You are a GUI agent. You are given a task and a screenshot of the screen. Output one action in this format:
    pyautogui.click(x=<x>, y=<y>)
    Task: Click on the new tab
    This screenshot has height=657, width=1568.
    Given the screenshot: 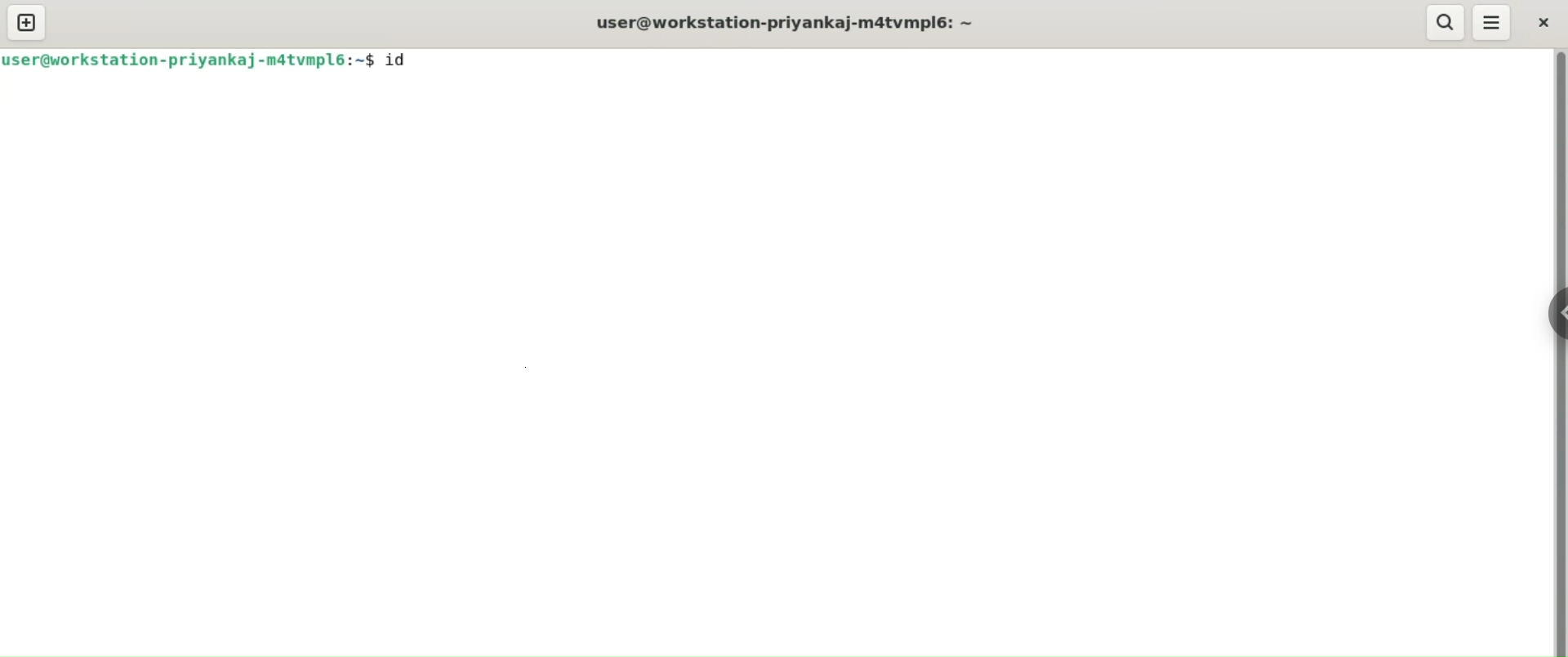 What is the action you would take?
    pyautogui.click(x=27, y=22)
    